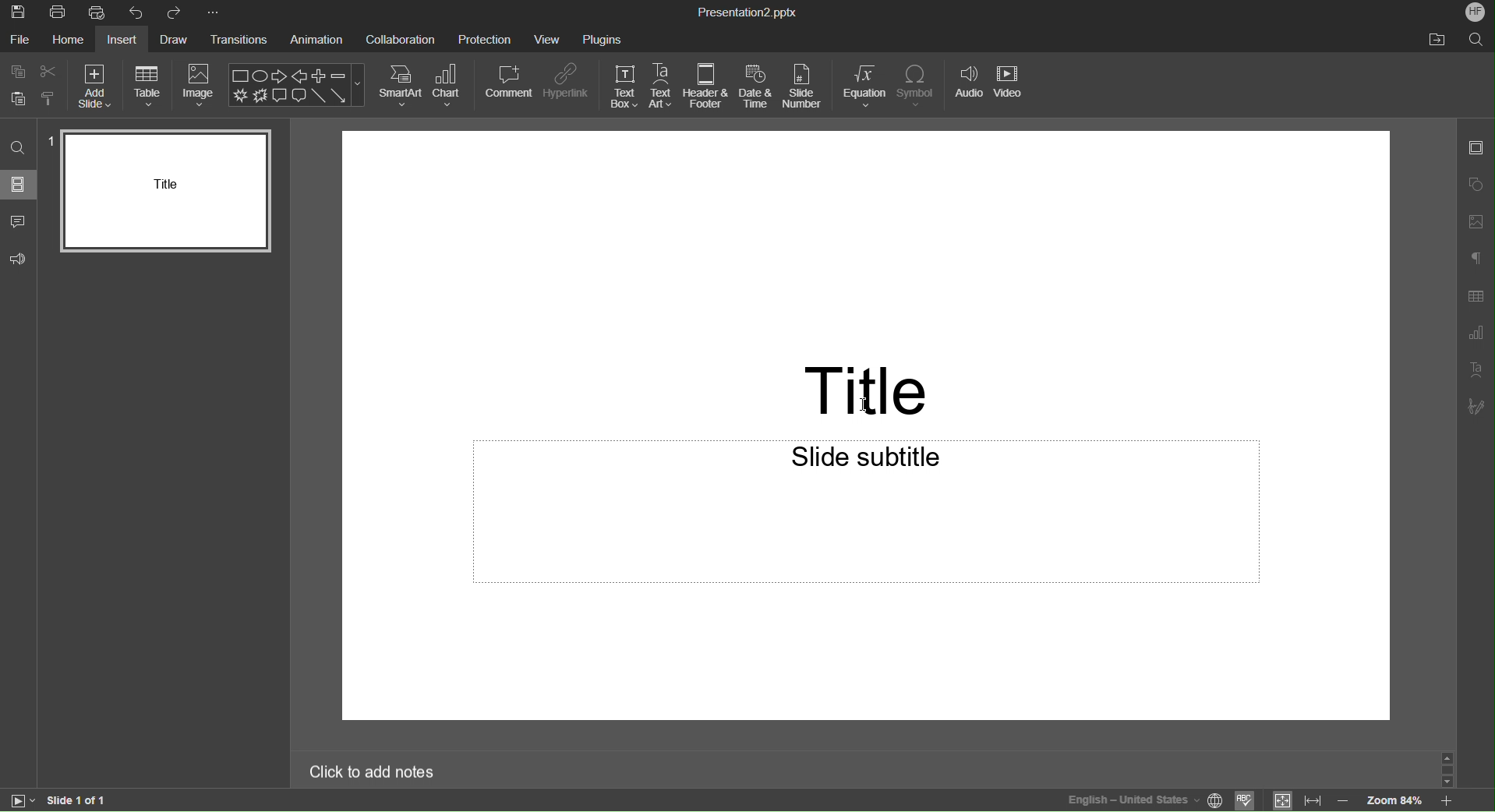 Image resolution: width=1495 pixels, height=812 pixels. I want to click on Title, so click(868, 392).